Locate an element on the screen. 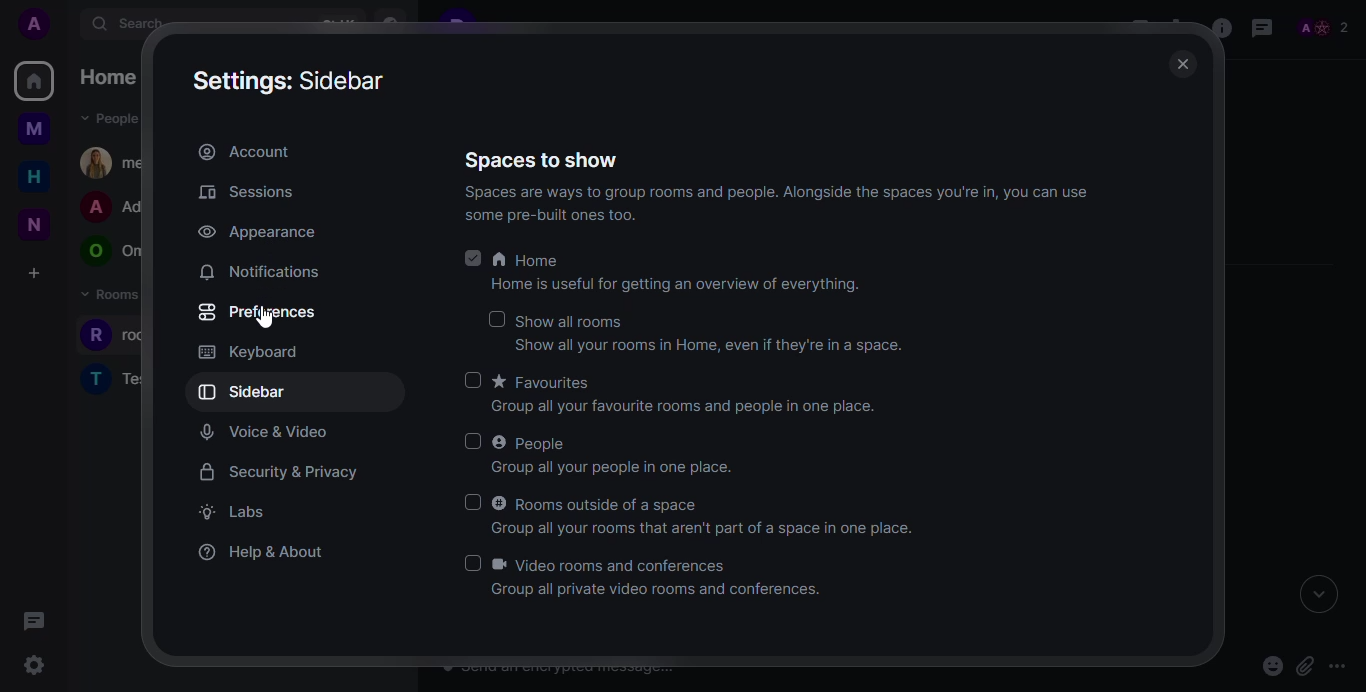  profile is located at coordinates (35, 24).